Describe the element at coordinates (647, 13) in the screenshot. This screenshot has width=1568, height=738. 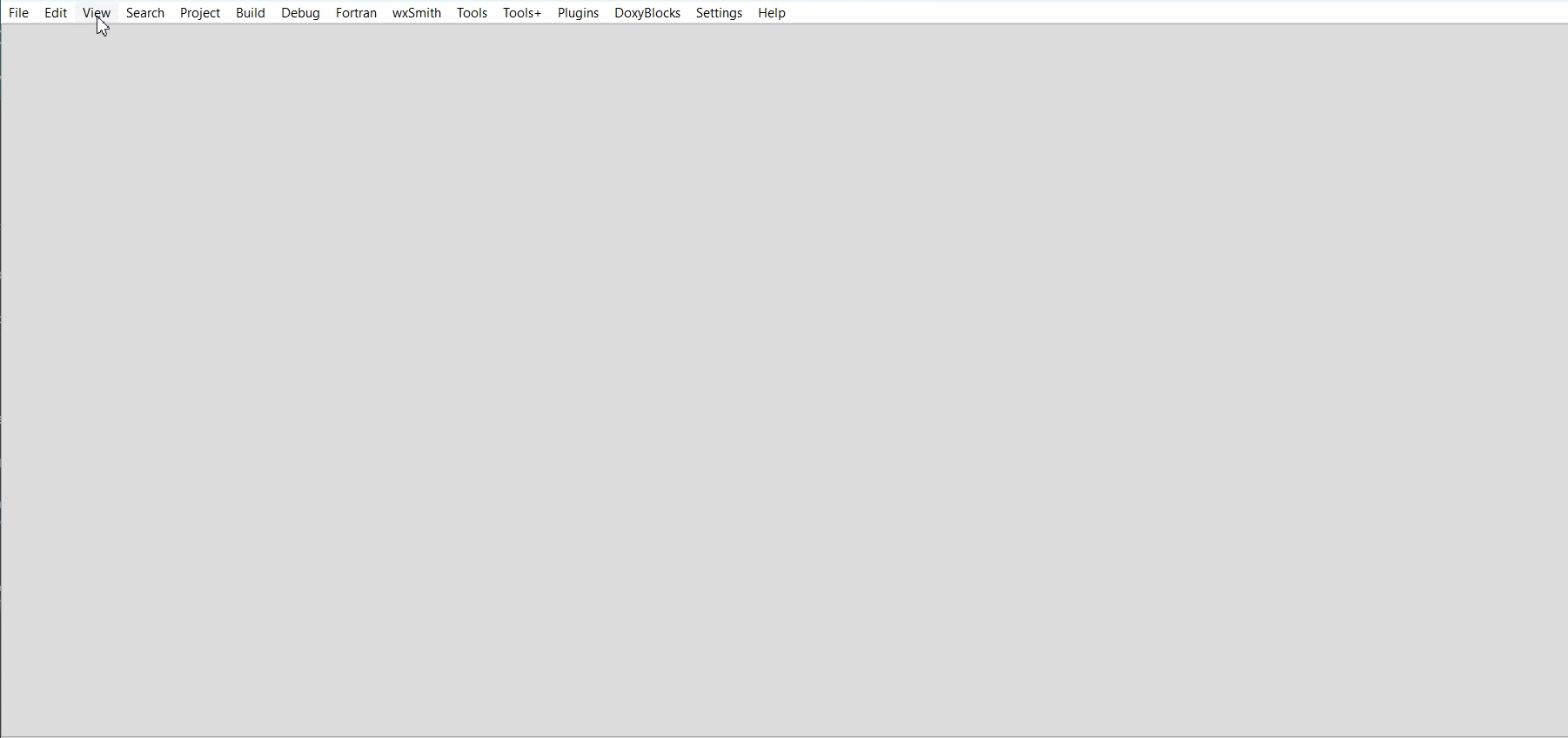
I see `Doxyblocks` at that location.